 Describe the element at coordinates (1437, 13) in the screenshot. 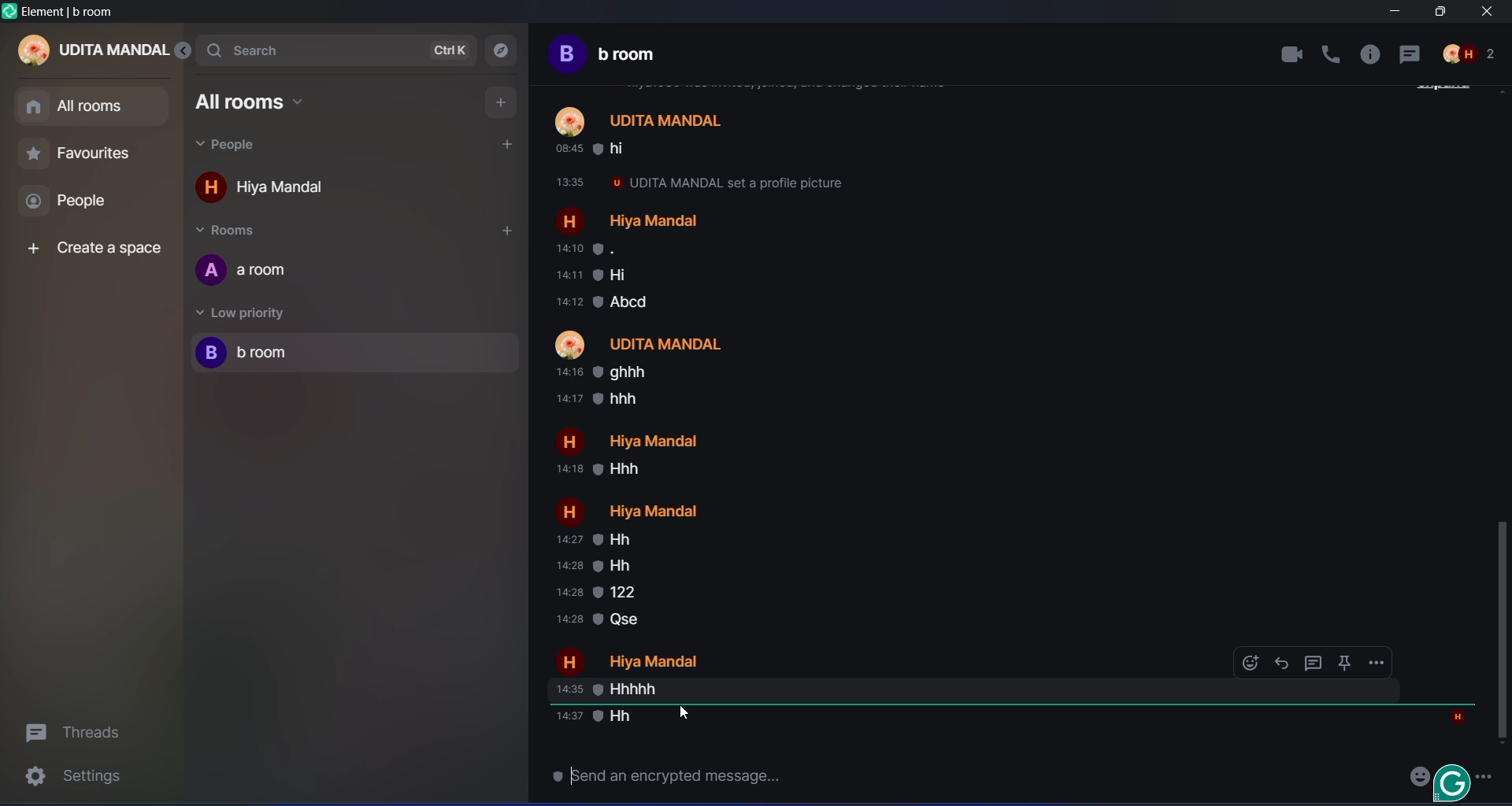

I see `Maximize ` at that location.